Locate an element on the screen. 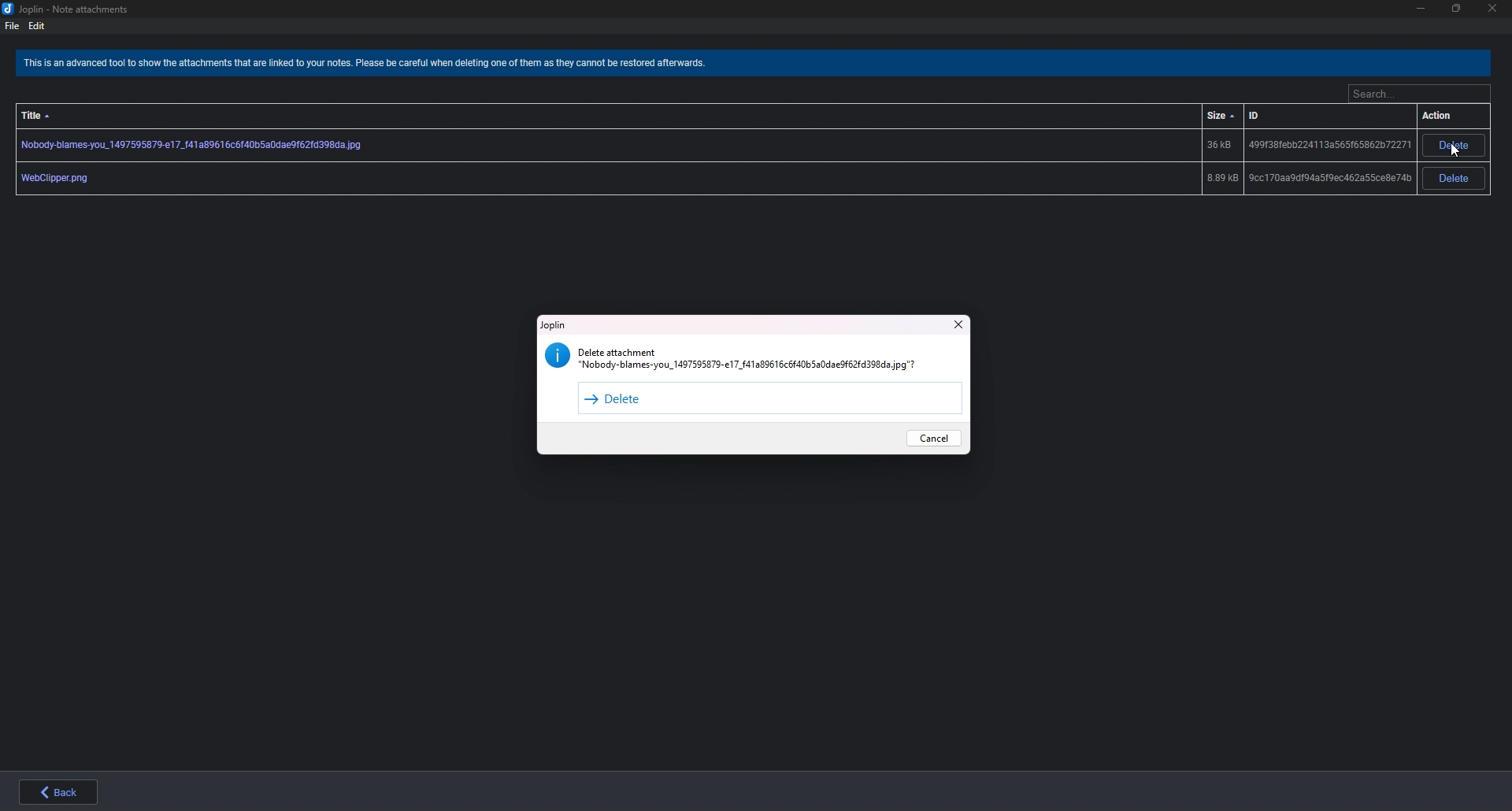 The image size is (1512, 811). Close is located at coordinates (955, 324).